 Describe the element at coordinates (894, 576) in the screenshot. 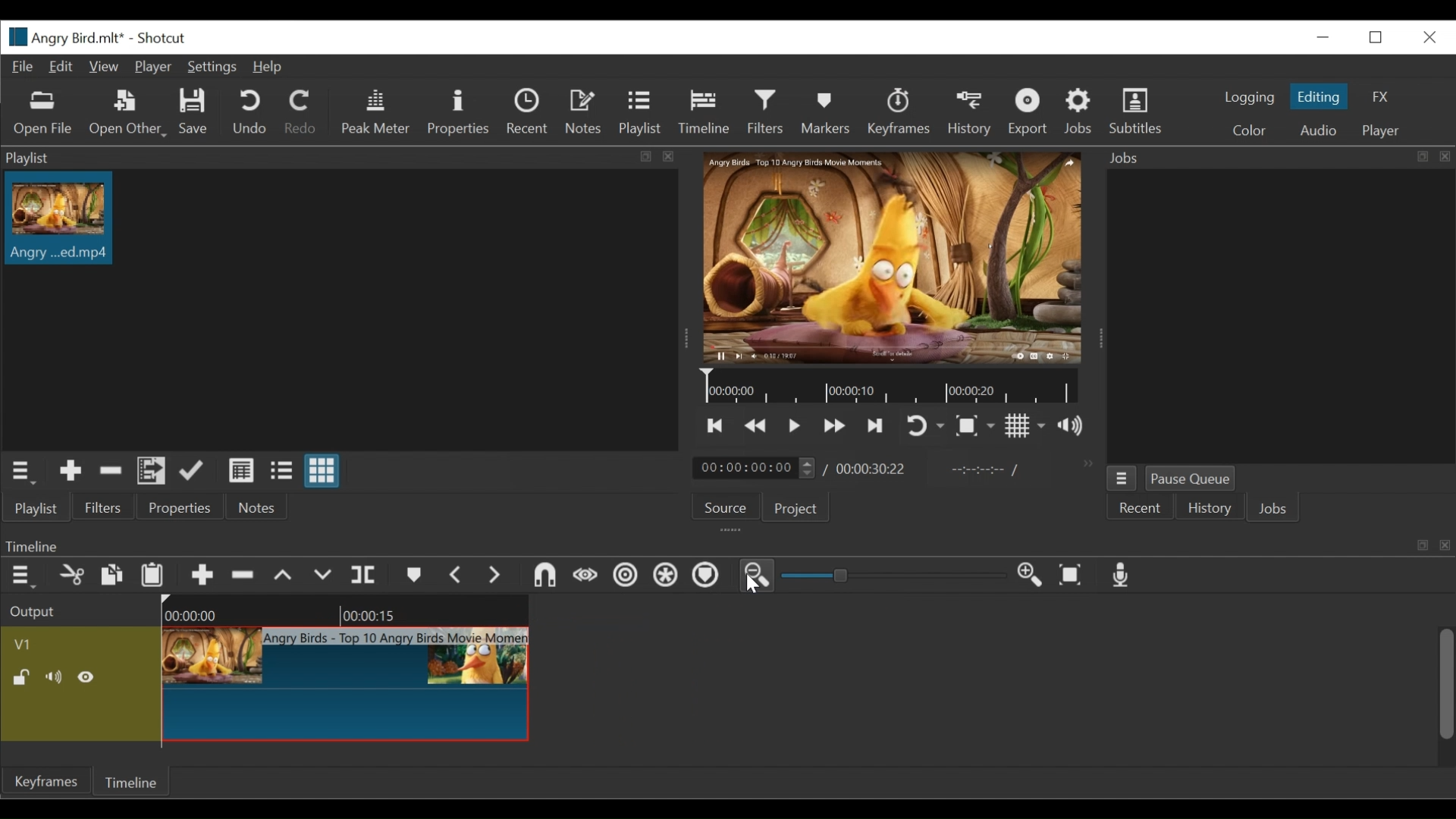

I see `Slider` at that location.